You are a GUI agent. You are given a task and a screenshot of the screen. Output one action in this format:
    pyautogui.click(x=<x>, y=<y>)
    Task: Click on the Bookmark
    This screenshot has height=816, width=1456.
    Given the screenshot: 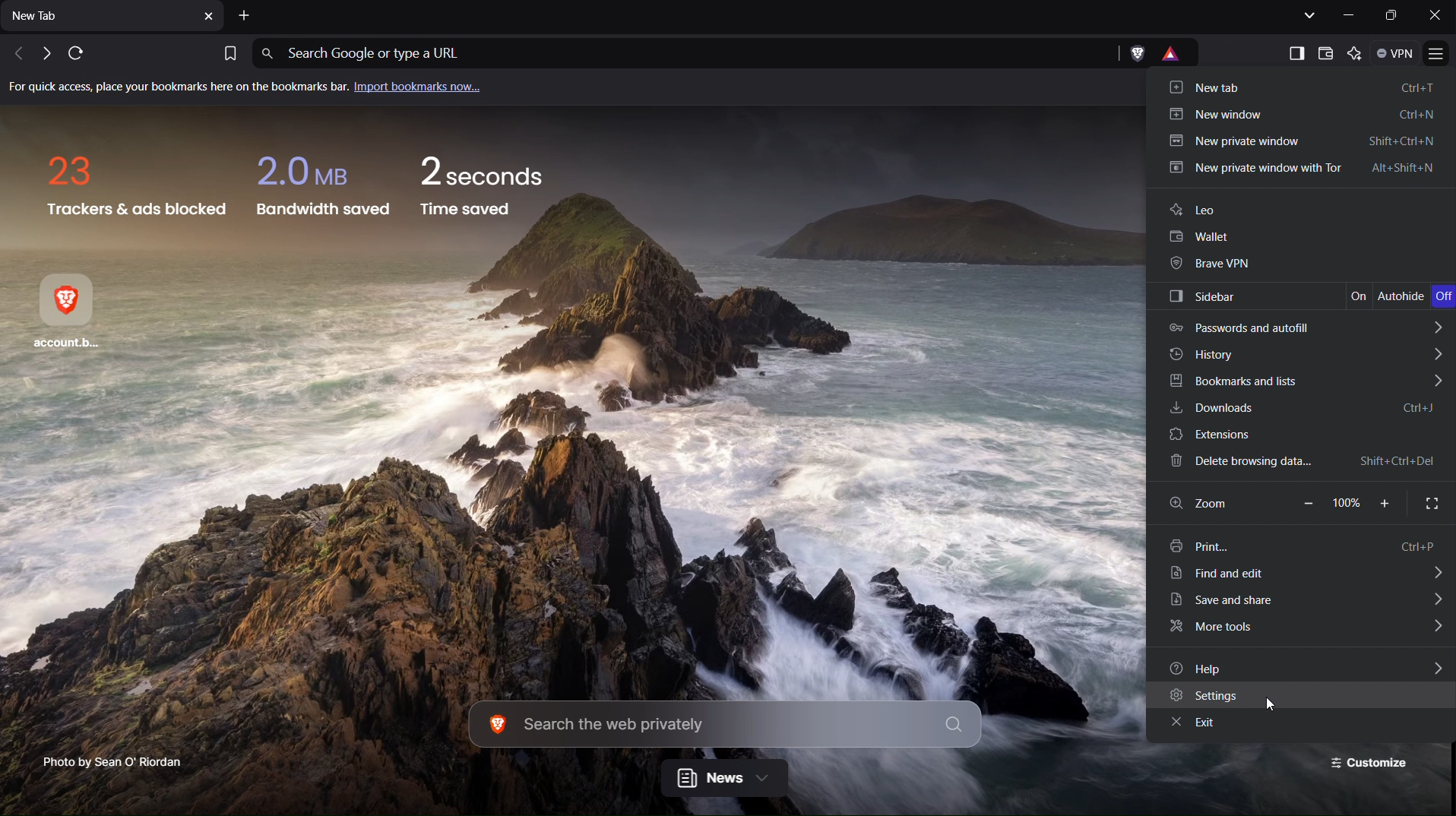 What is the action you would take?
    pyautogui.click(x=228, y=52)
    